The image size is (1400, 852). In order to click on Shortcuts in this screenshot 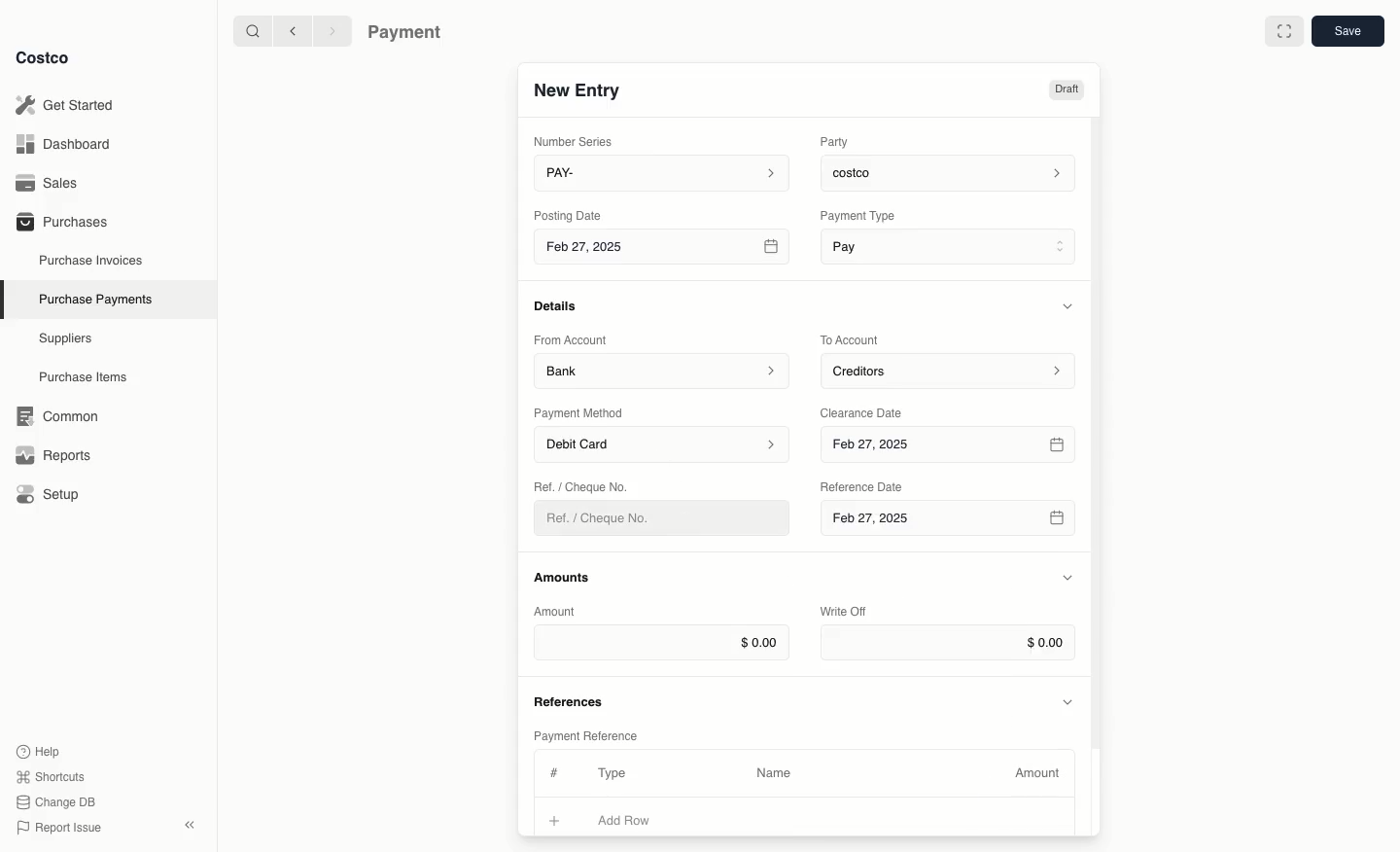, I will do `click(50, 775)`.